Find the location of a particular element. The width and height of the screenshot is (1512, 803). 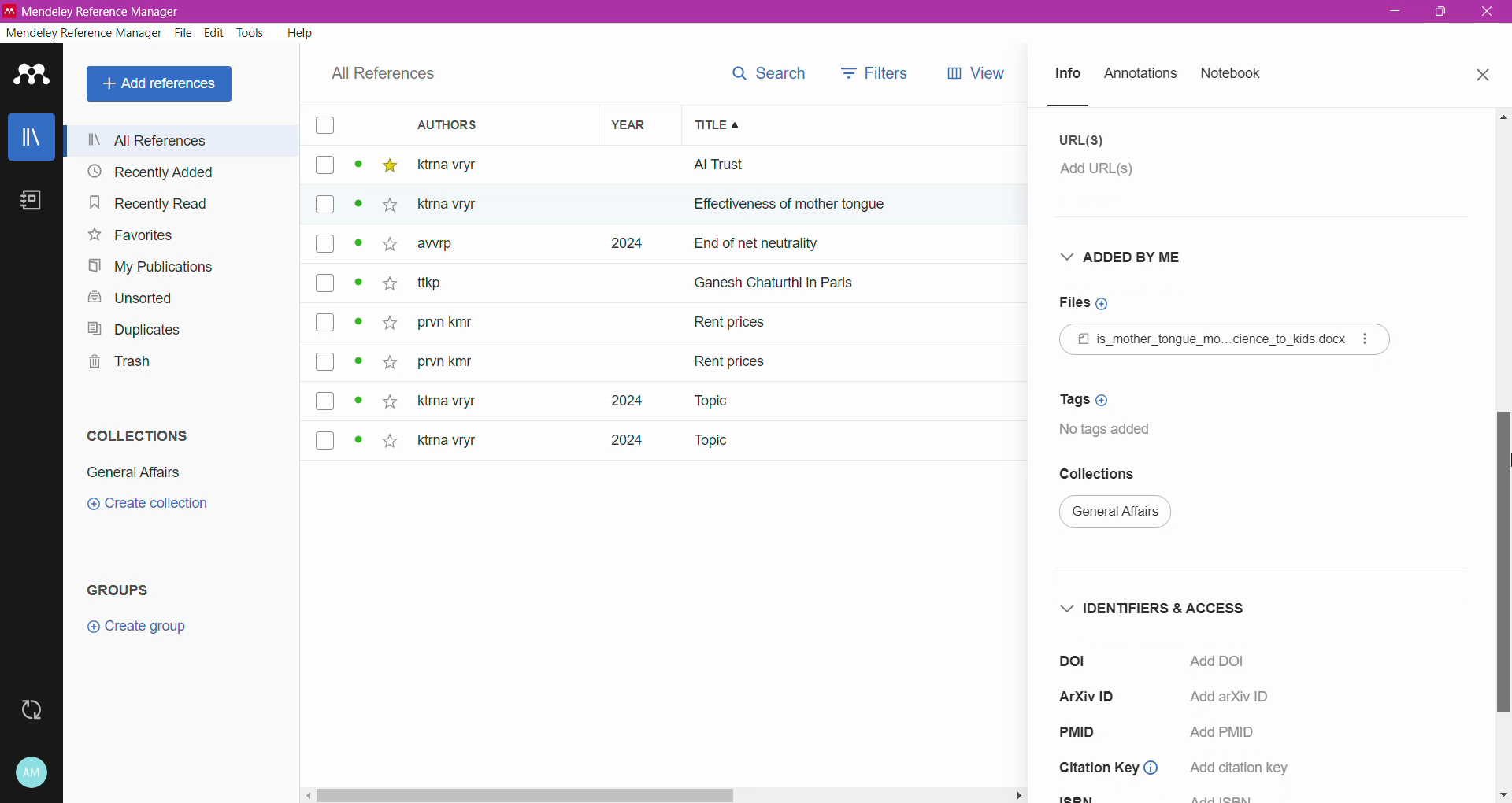

All References is located at coordinates (162, 84).